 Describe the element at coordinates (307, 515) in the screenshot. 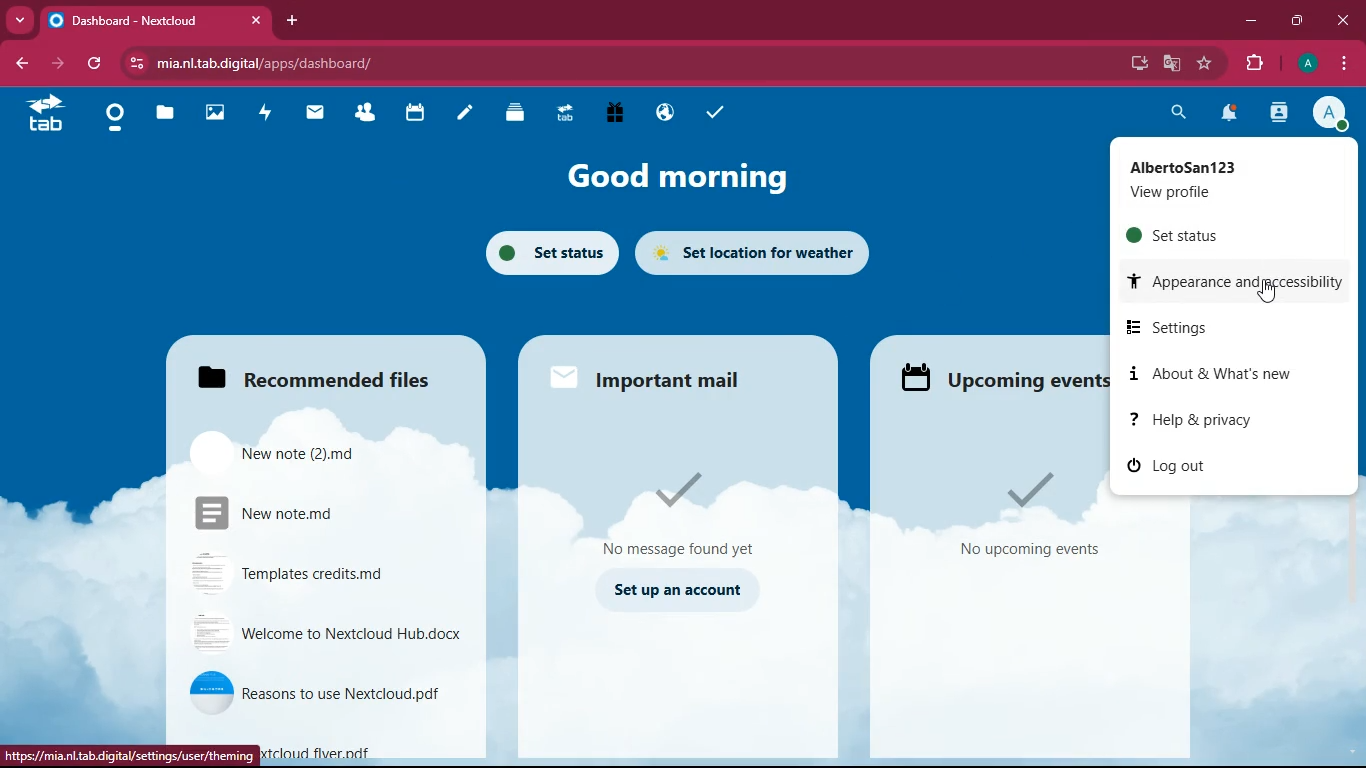

I see `file` at that location.